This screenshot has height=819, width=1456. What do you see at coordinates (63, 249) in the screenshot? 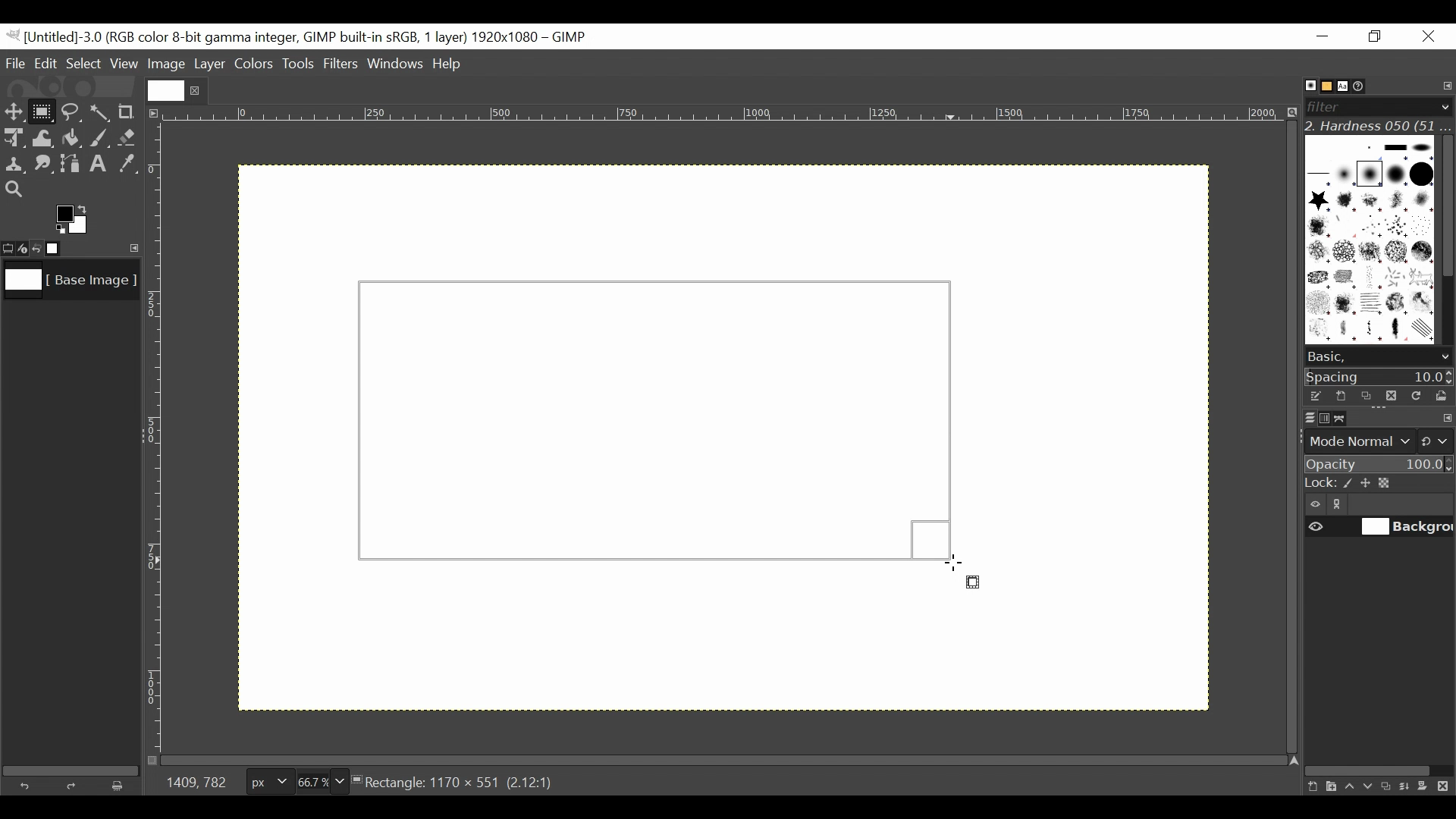
I see `Images` at bounding box center [63, 249].